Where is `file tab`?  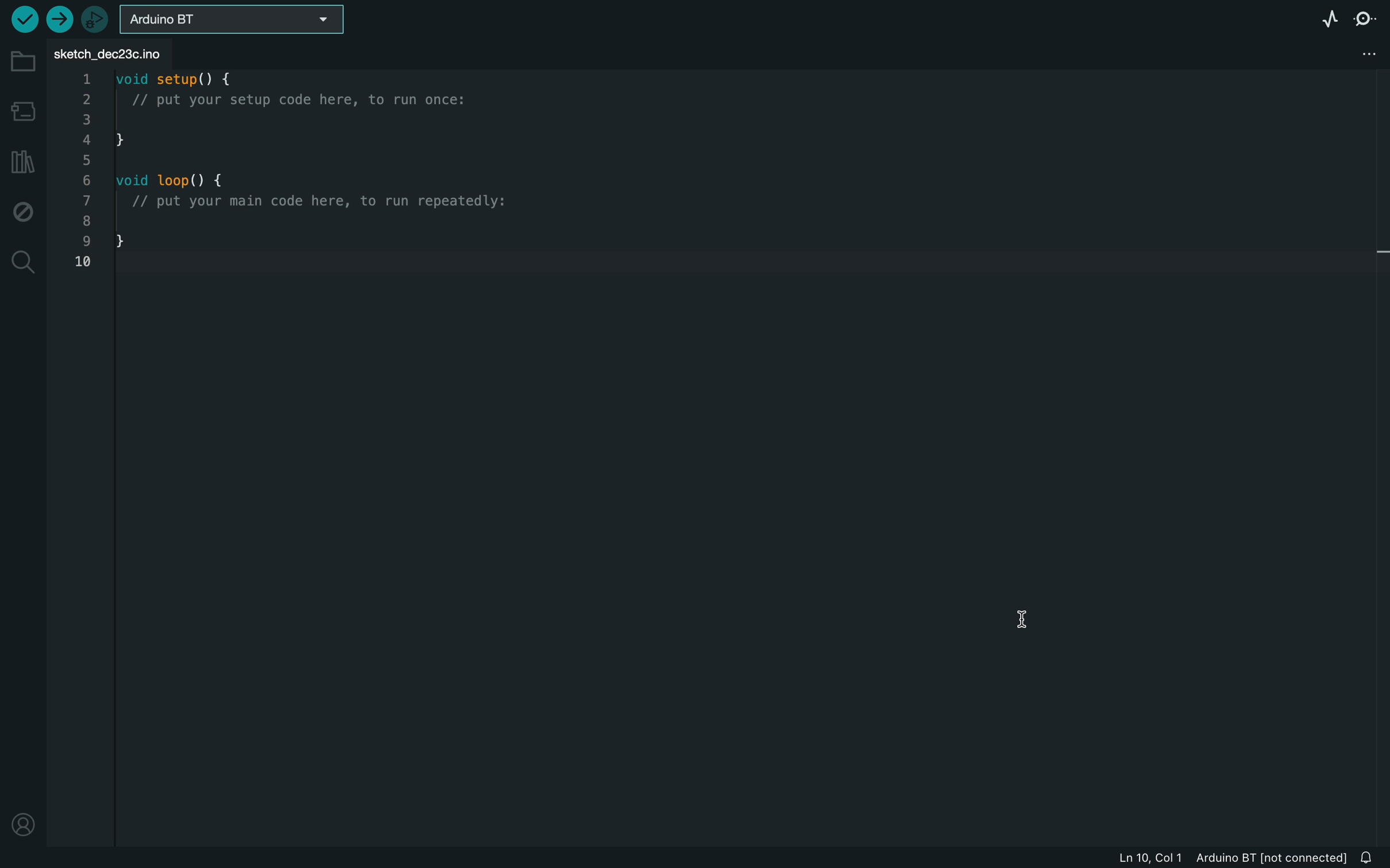 file tab is located at coordinates (118, 53).